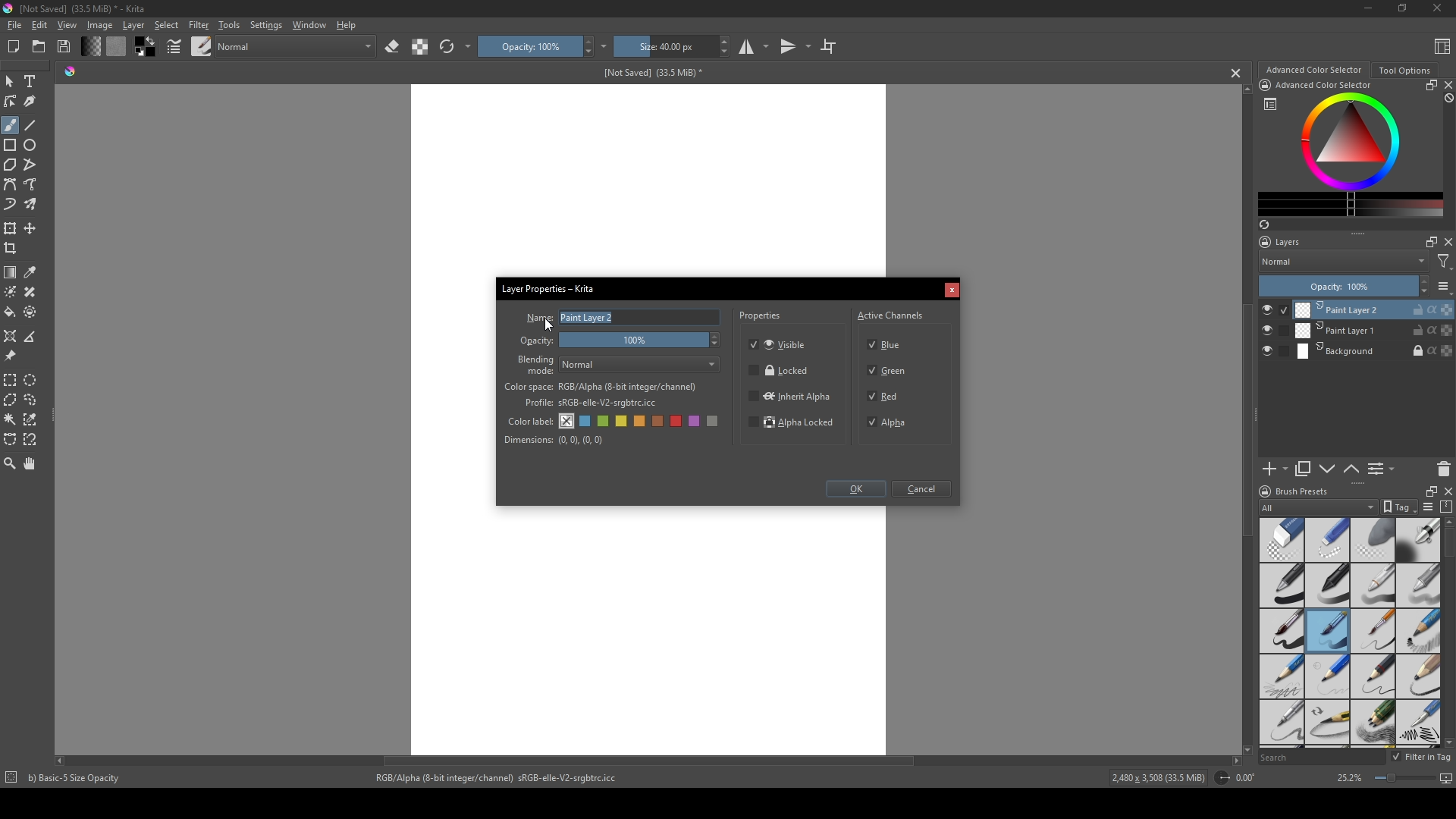 Image resolution: width=1456 pixels, height=819 pixels. What do you see at coordinates (1447, 99) in the screenshot?
I see `block` at bounding box center [1447, 99].